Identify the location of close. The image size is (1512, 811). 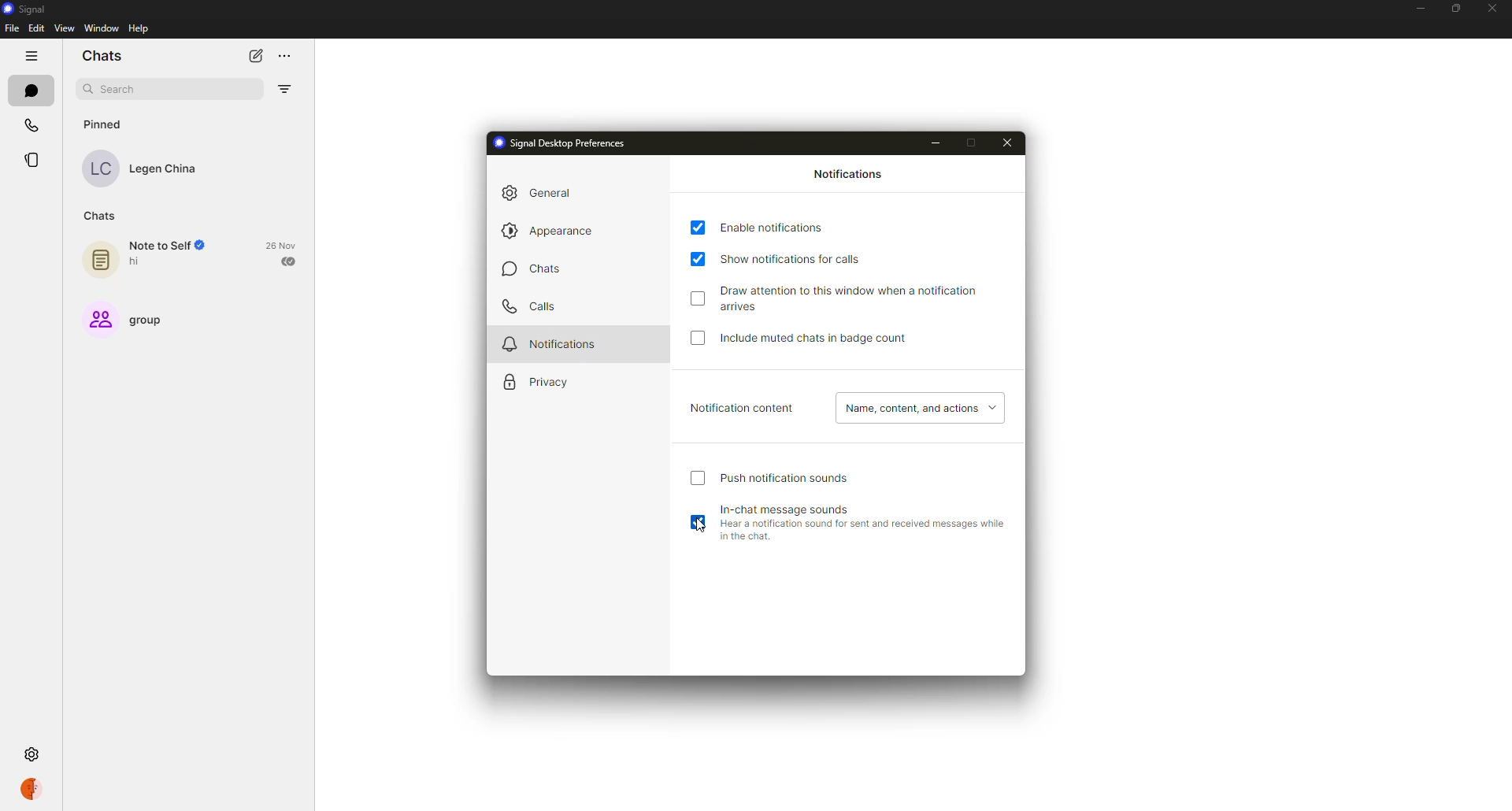
(1495, 6).